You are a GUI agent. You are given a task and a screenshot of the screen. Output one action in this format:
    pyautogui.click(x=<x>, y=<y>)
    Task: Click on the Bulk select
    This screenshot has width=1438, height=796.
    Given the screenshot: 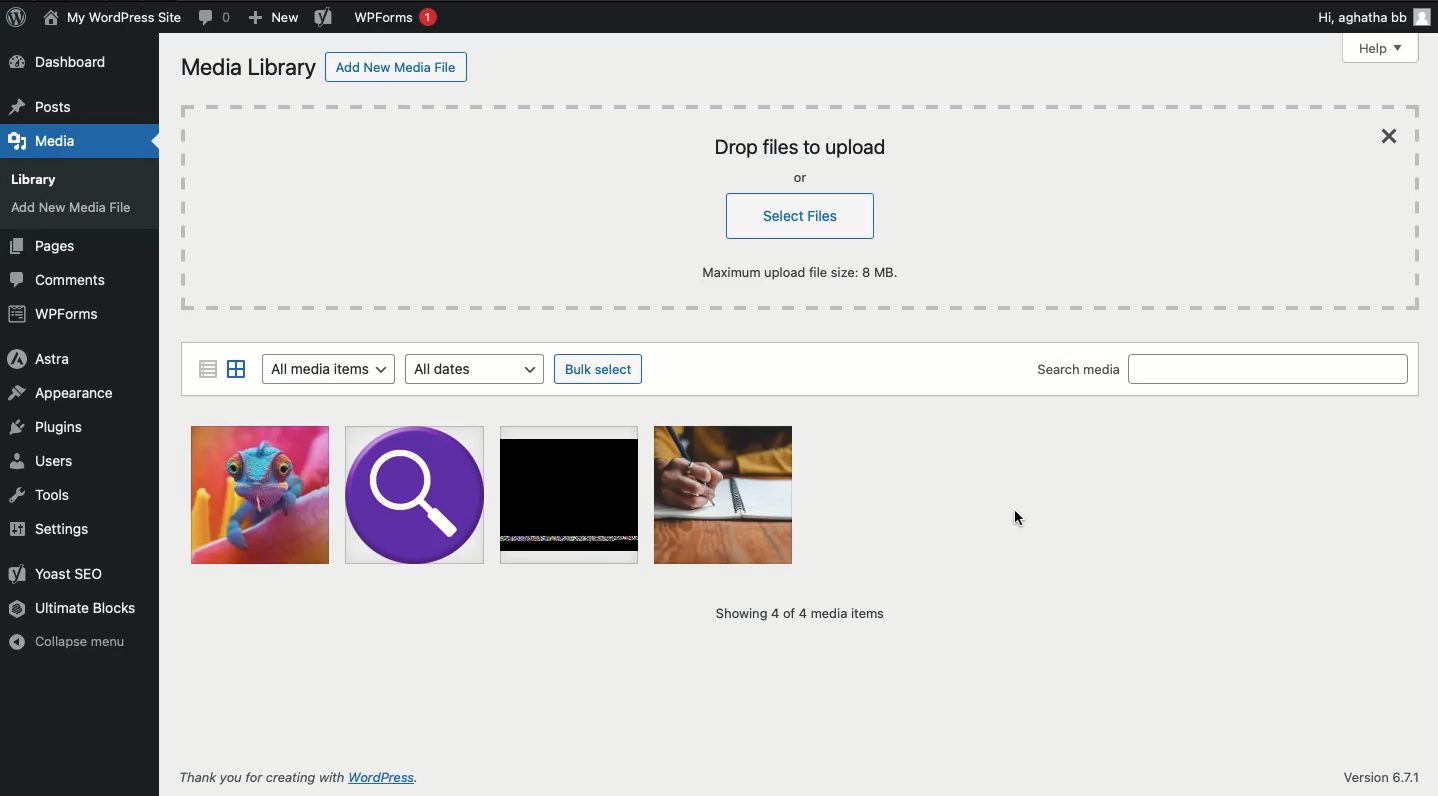 What is the action you would take?
    pyautogui.click(x=600, y=370)
    